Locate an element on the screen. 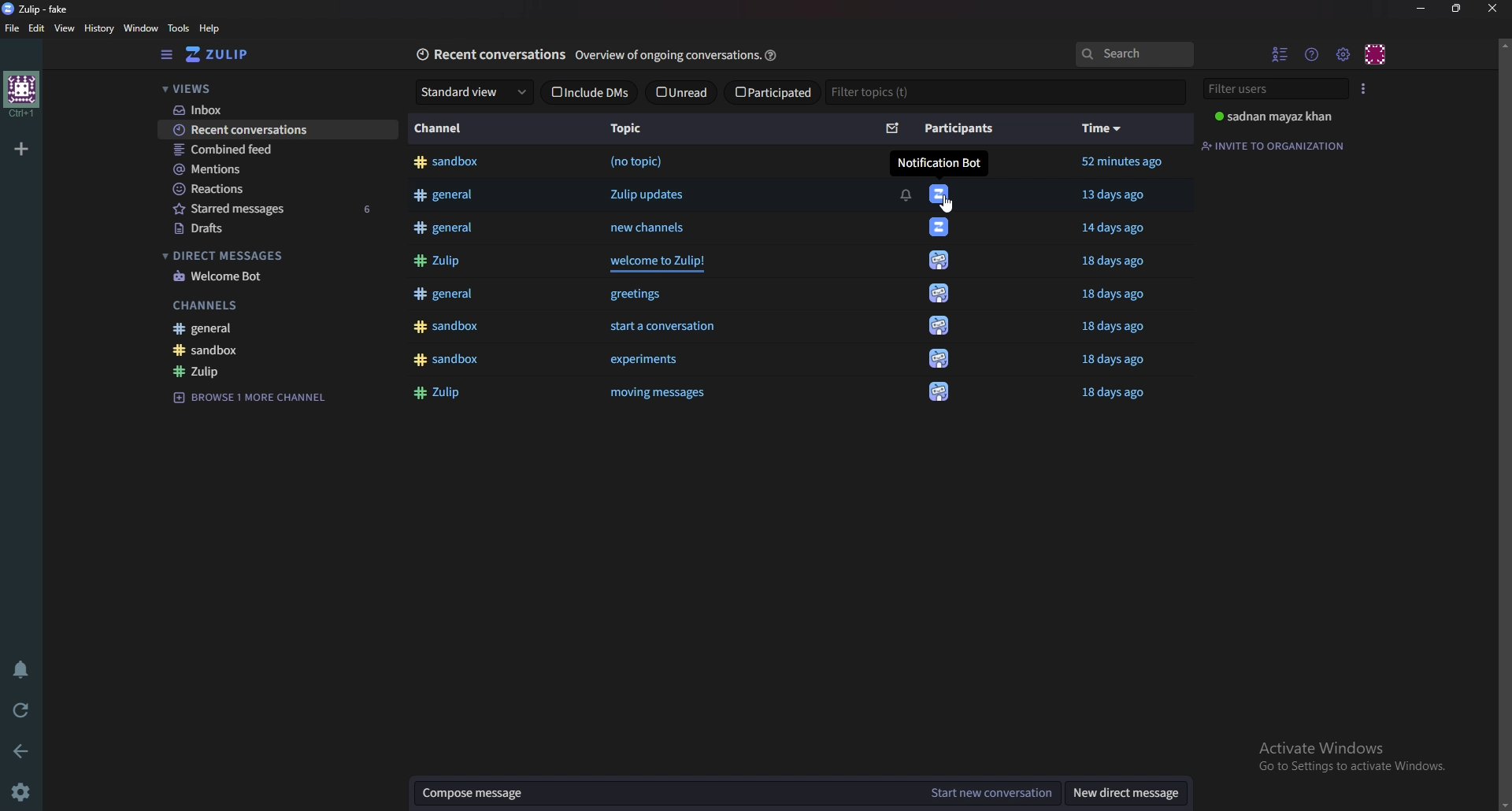 The image size is (1512, 811). Filter users is located at coordinates (1270, 90).